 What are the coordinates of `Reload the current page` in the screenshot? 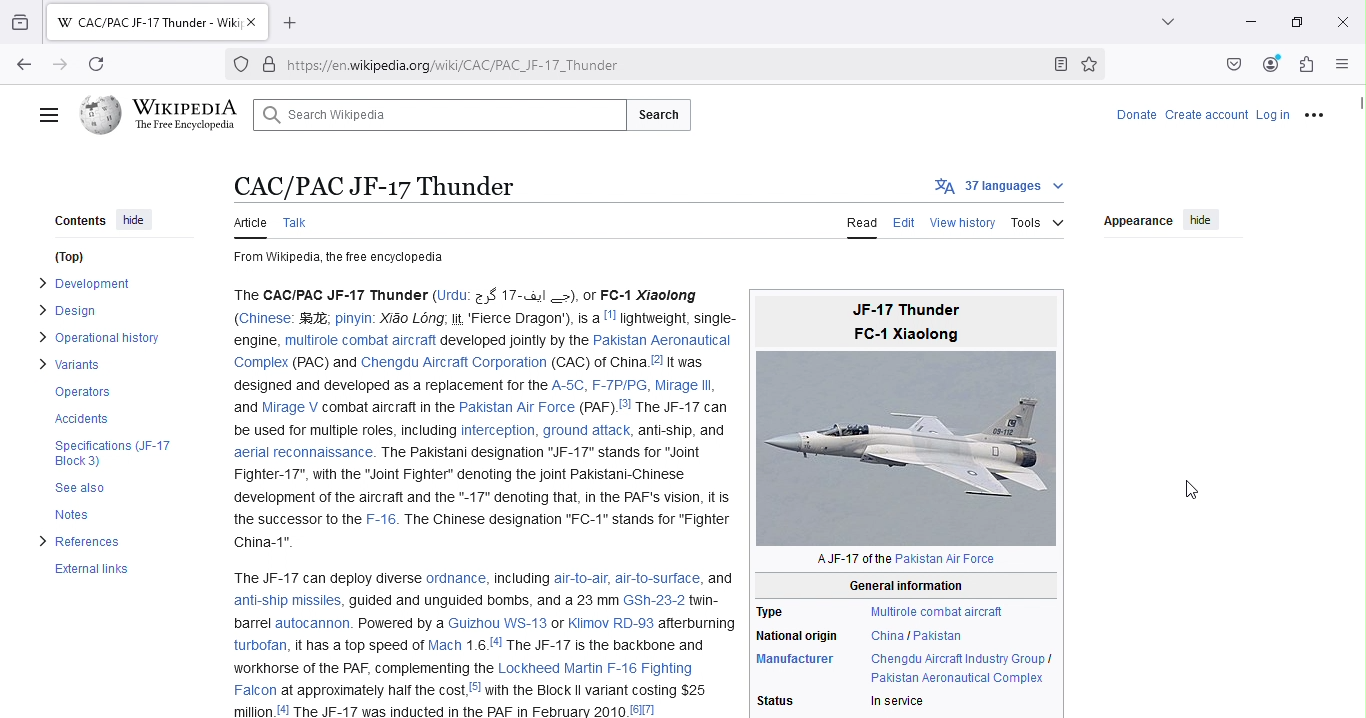 It's located at (101, 65).